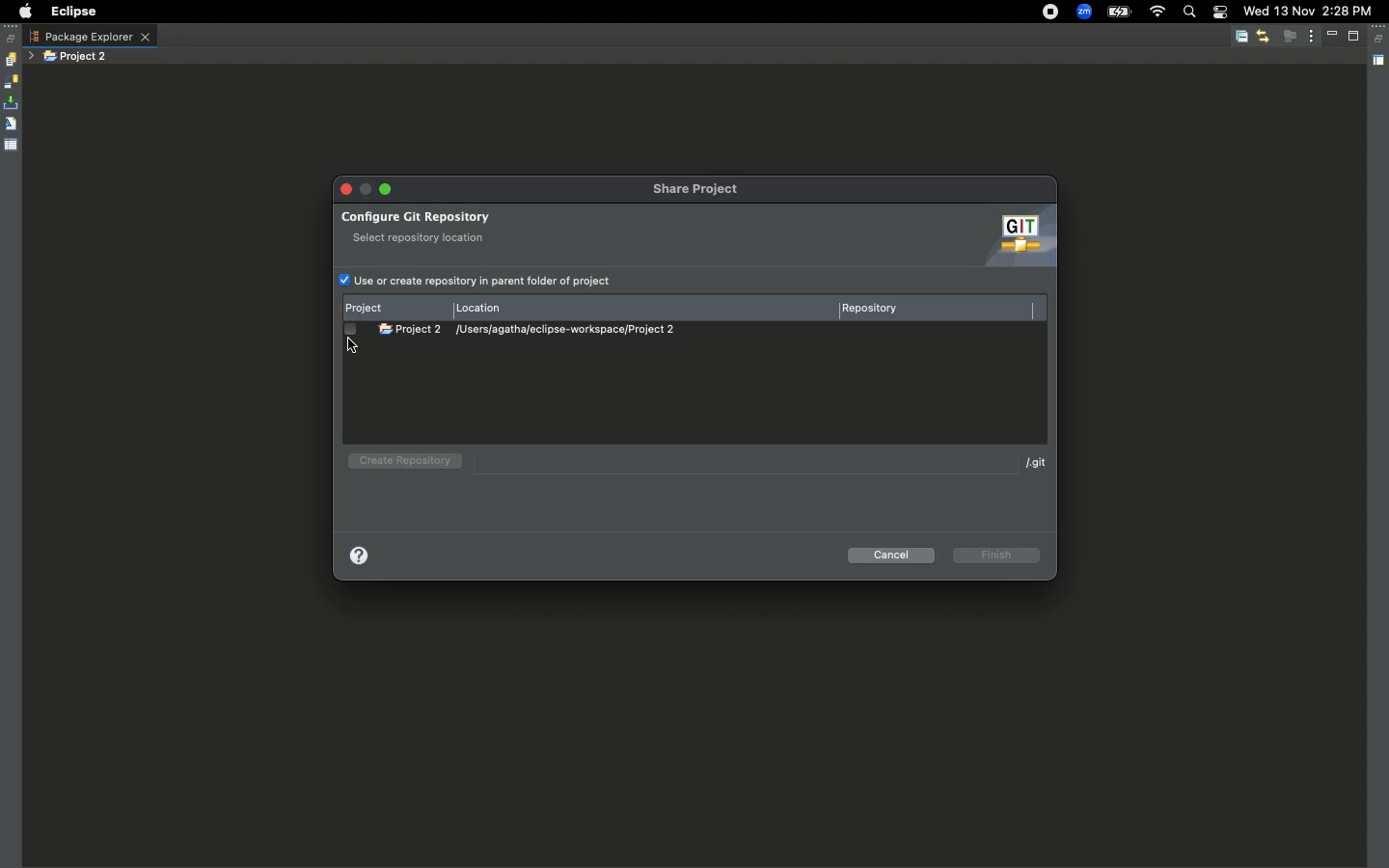  Describe the element at coordinates (1241, 38) in the screenshot. I see `Collapse all` at that location.